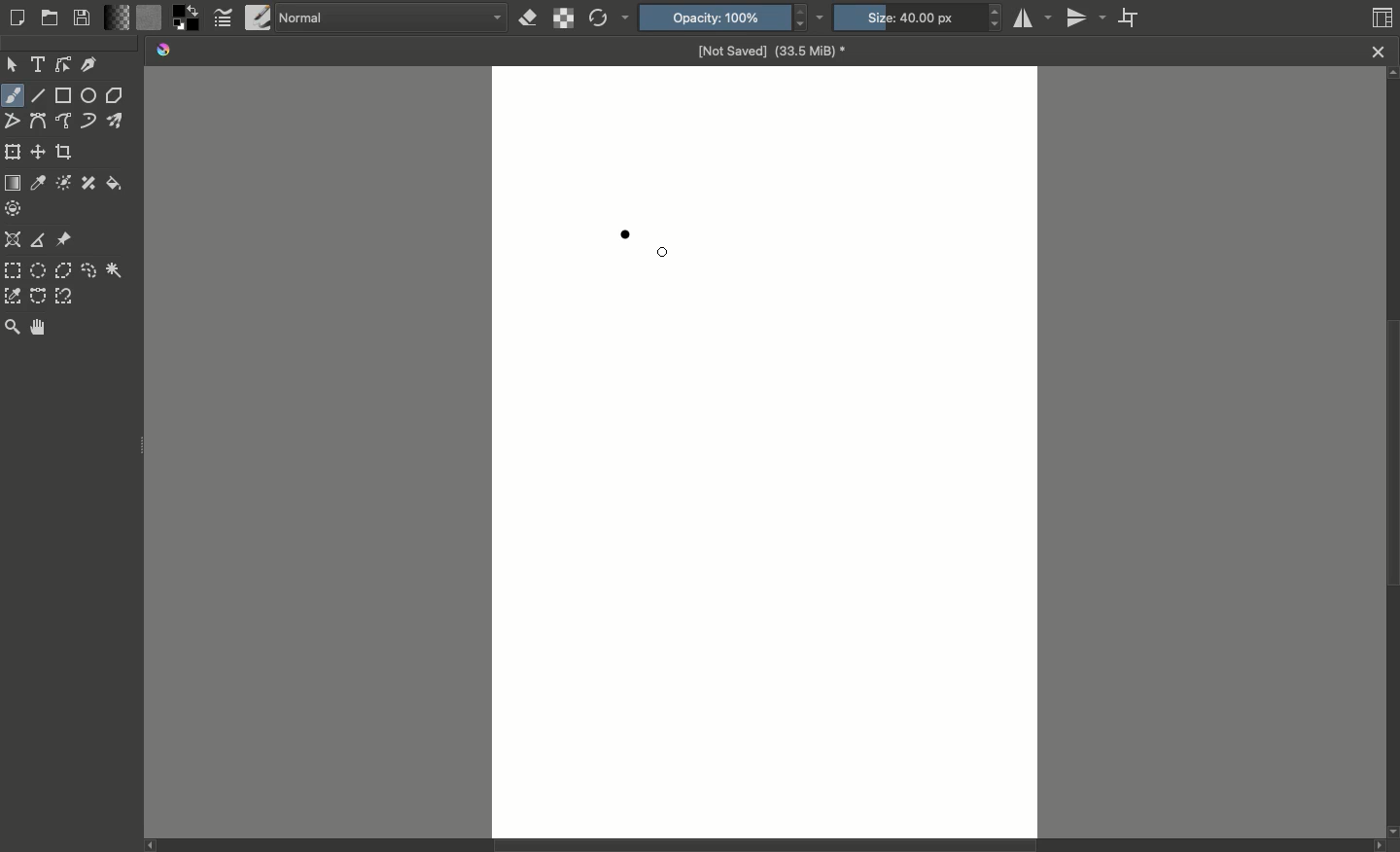  What do you see at coordinates (224, 20) in the screenshot?
I see `Edit brush settings` at bounding box center [224, 20].